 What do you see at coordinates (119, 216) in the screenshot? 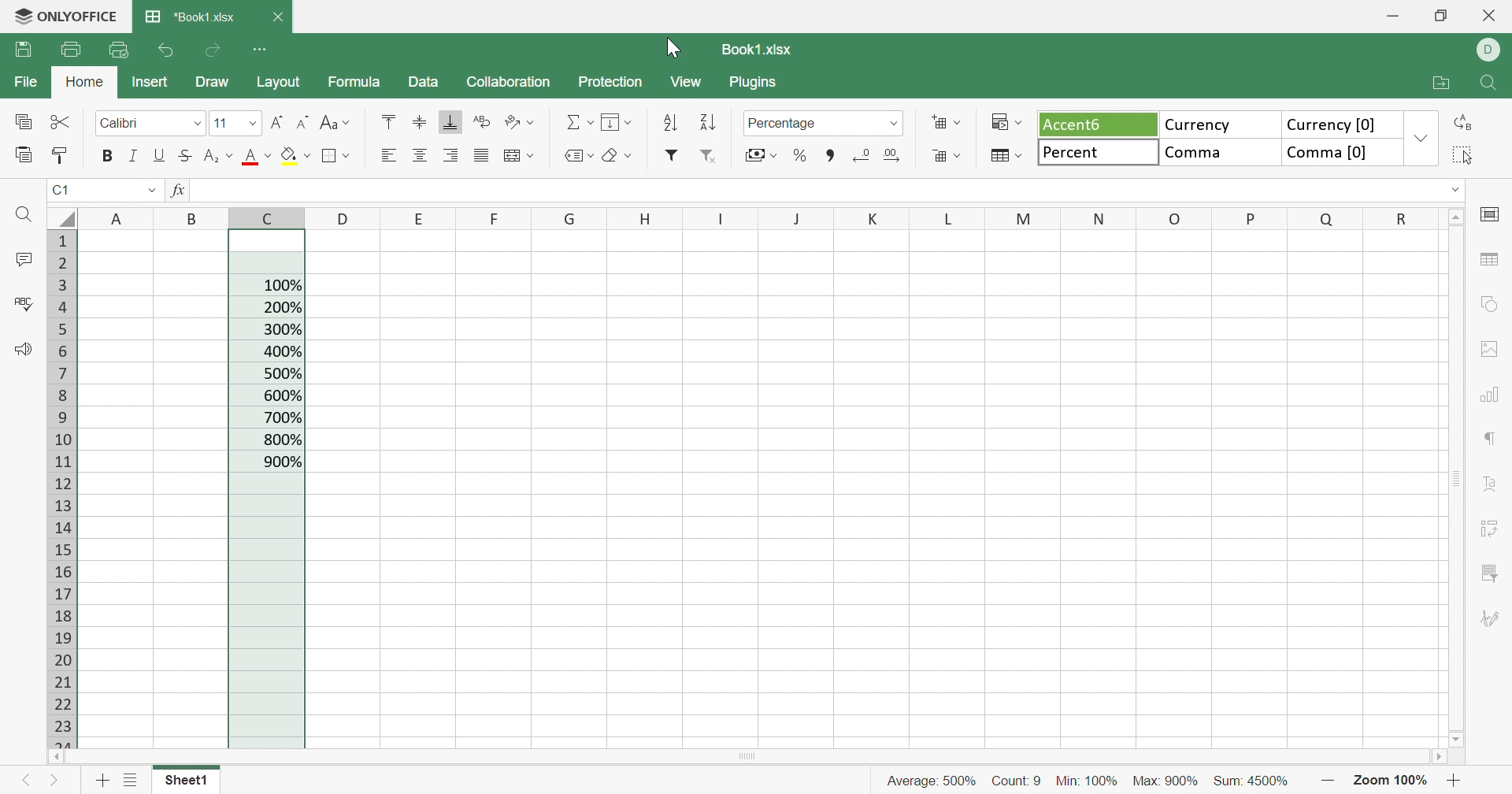
I see `A` at bounding box center [119, 216].